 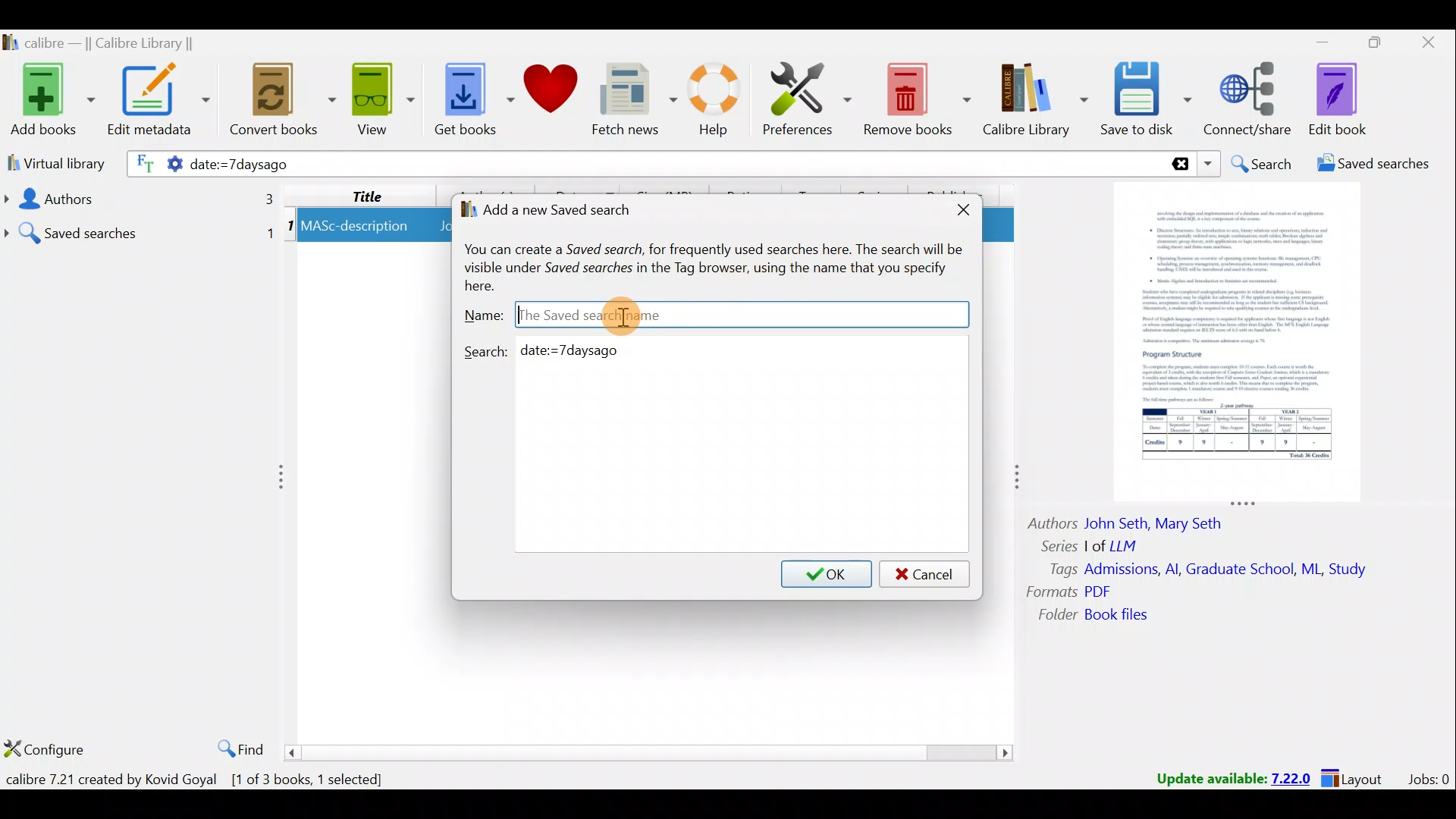 What do you see at coordinates (1015, 481) in the screenshot?
I see `adjust column to right` at bounding box center [1015, 481].